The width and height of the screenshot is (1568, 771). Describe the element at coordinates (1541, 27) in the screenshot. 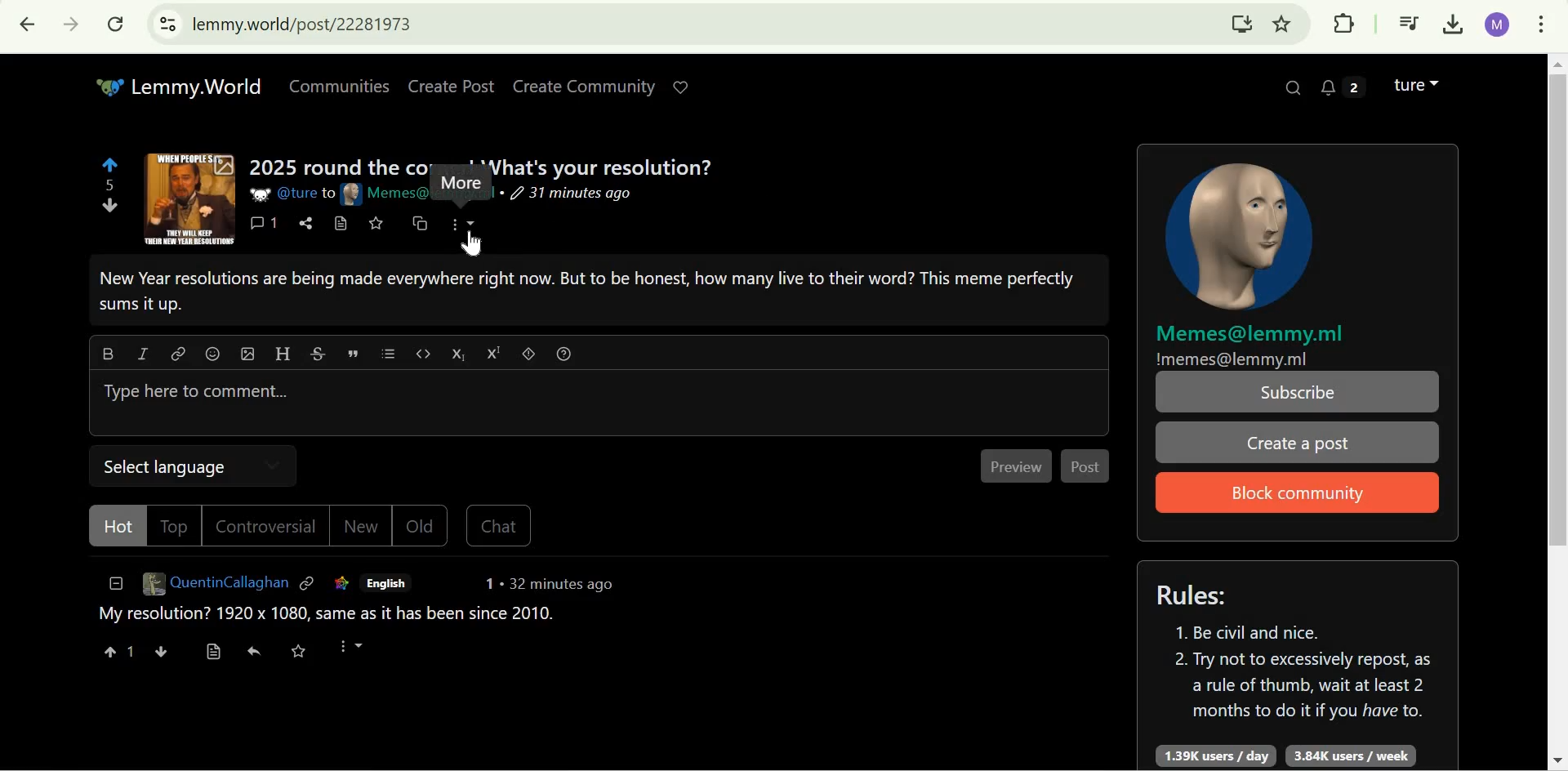

I see `customize and control google chrome` at that location.